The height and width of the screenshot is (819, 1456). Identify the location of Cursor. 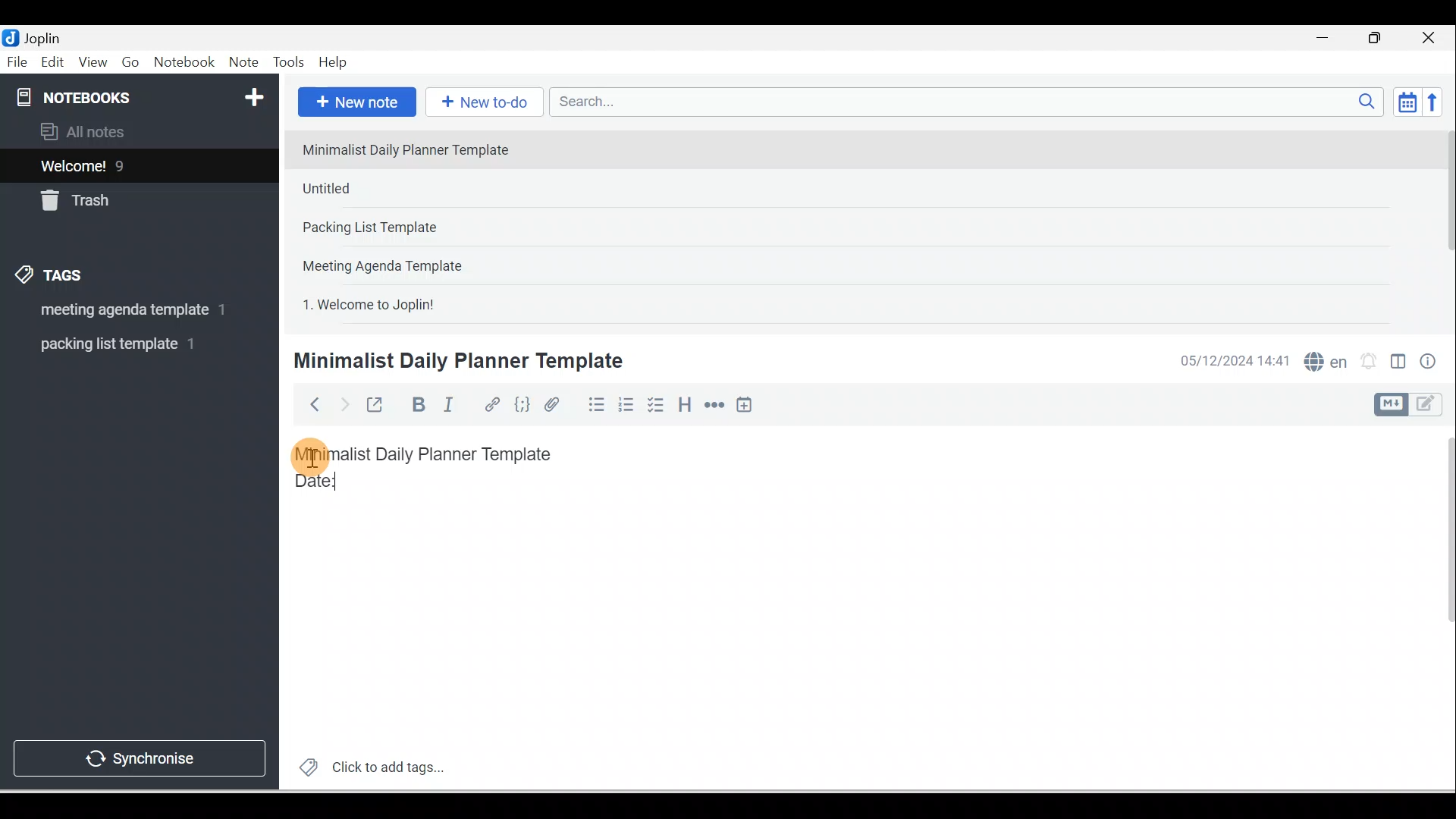
(311, 455).